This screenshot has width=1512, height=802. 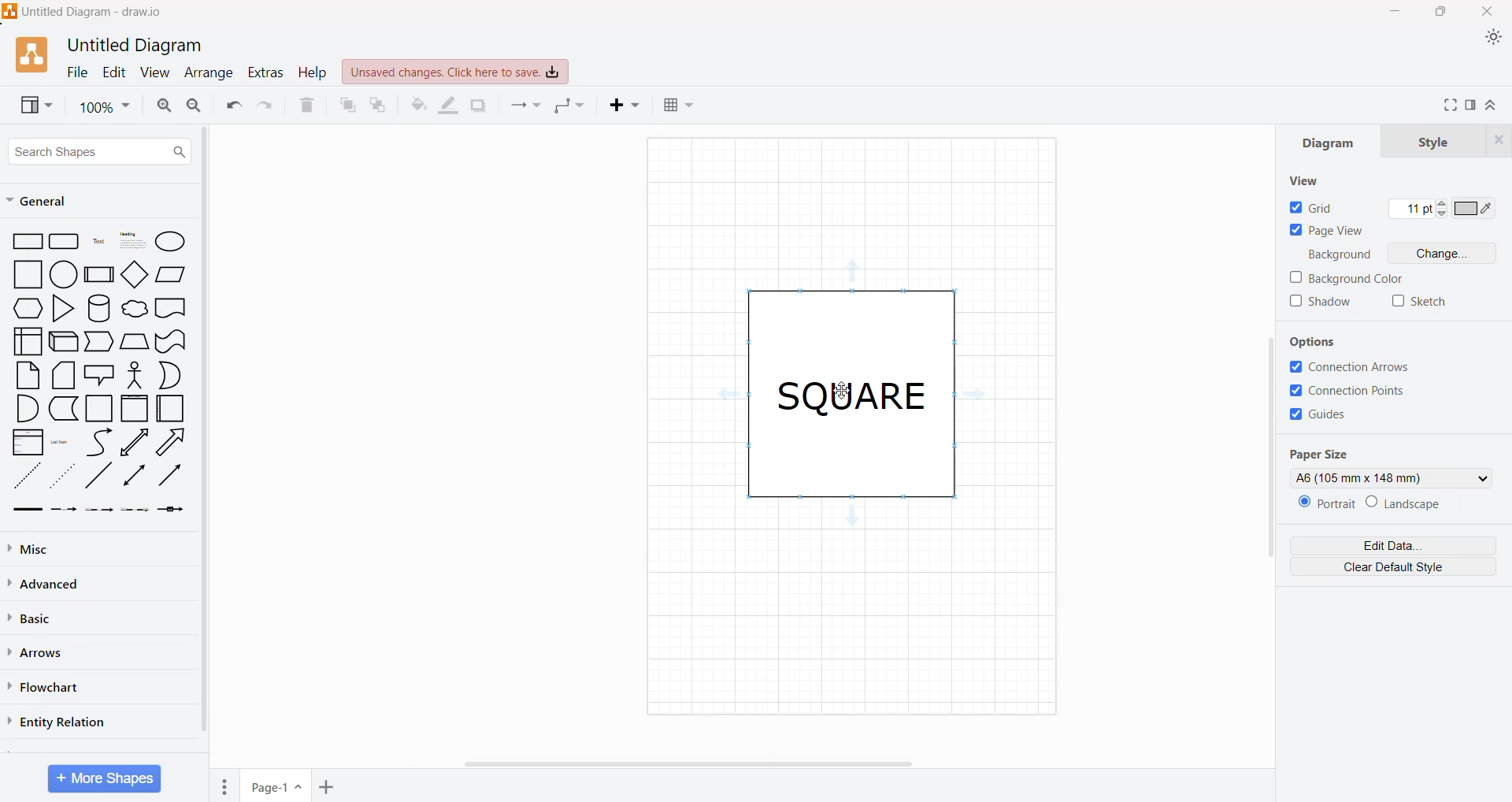 I want to click on Pages, so click(x=225, y=786).